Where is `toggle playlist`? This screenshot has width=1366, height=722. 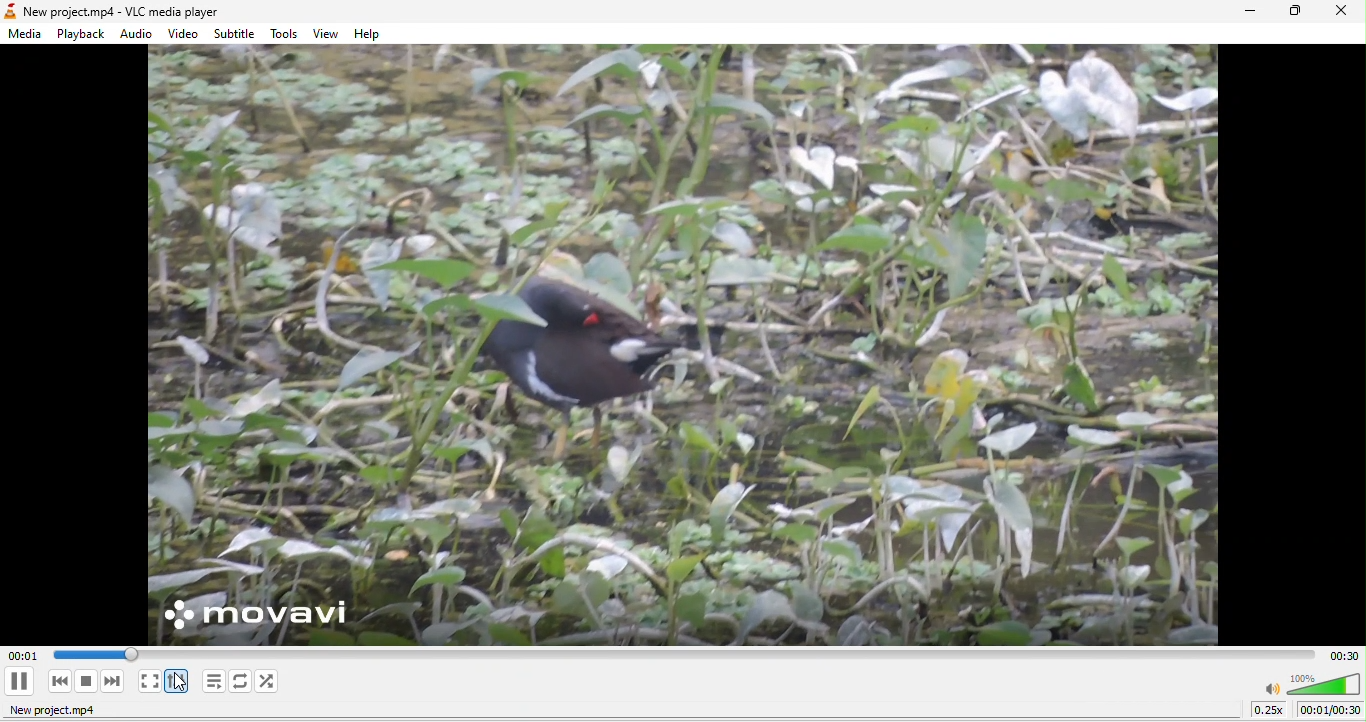
toggle playlist is located at coordinates (213, 680).